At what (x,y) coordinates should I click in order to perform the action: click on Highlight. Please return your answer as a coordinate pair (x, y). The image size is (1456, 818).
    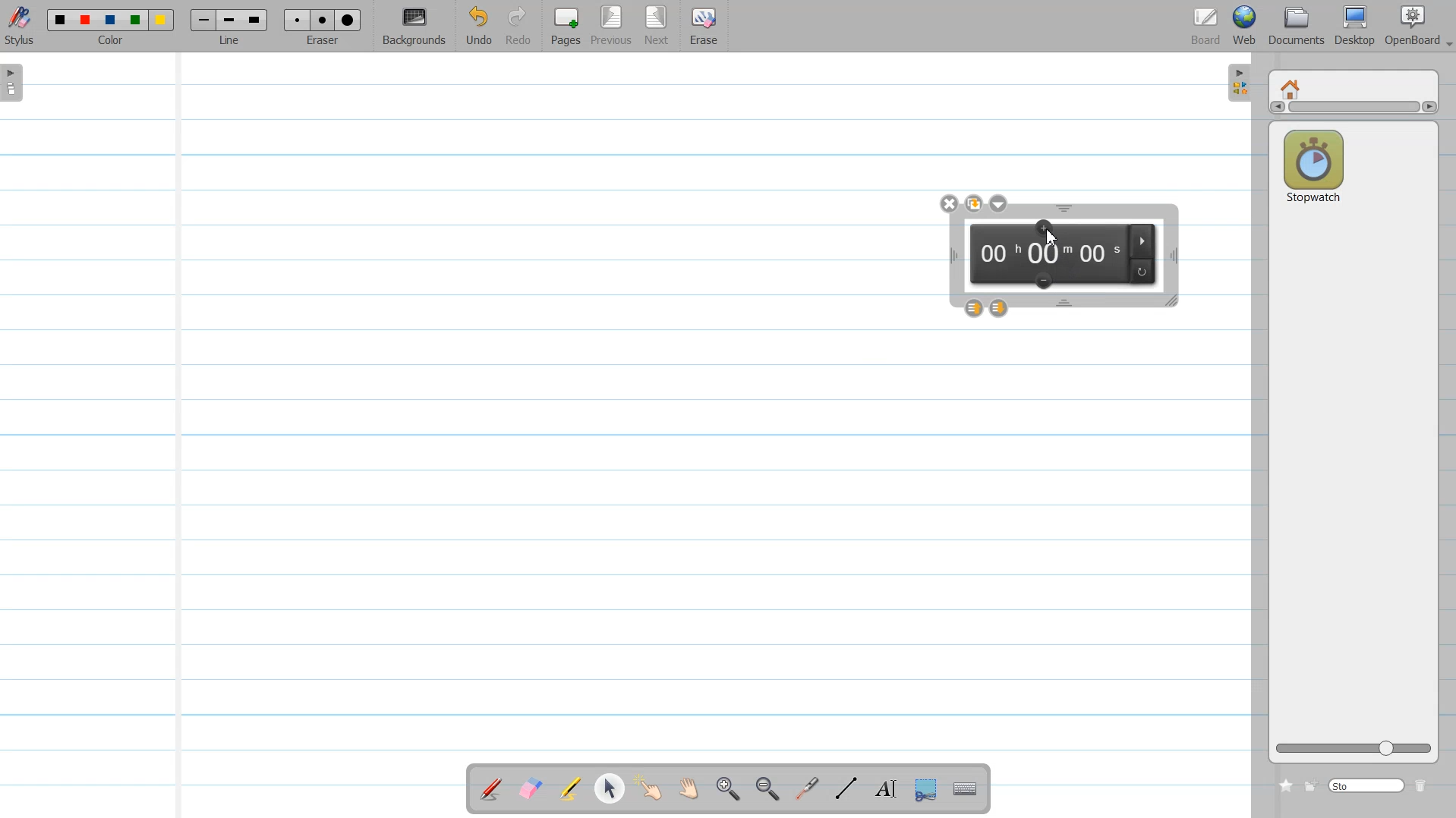
    Looking at the image, I should click on (570, 788).